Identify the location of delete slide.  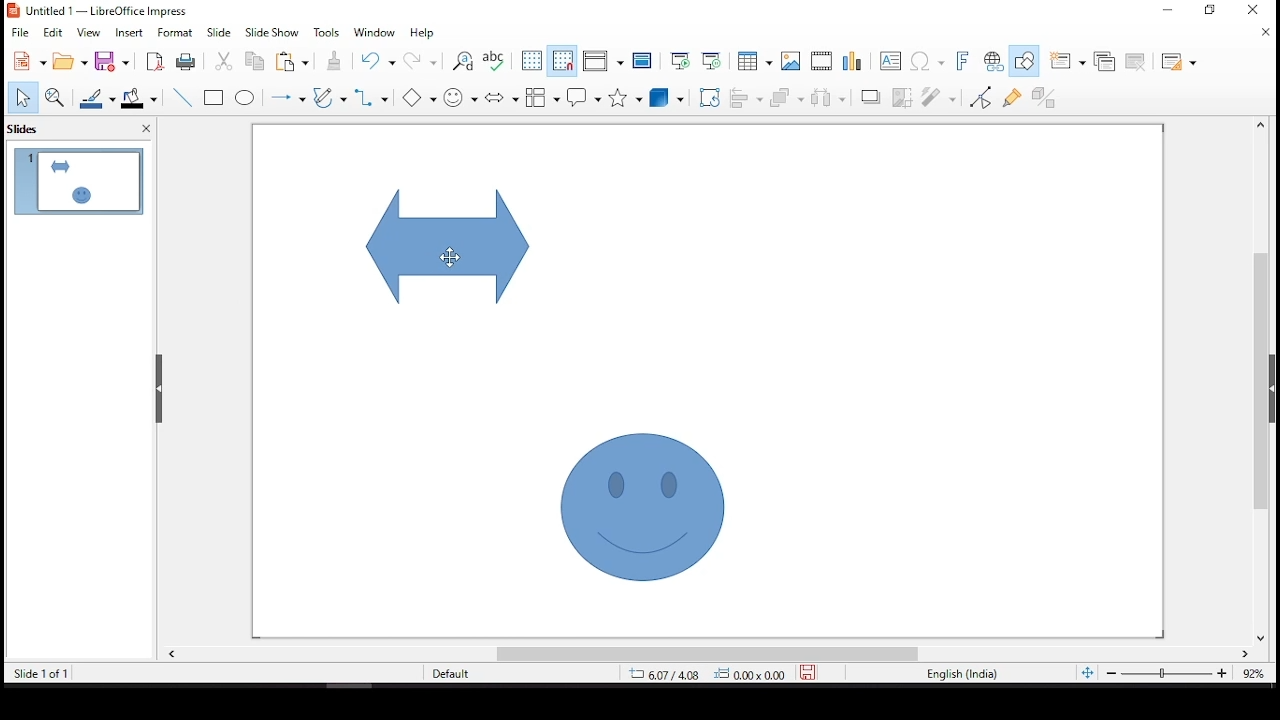
(1135, 62).